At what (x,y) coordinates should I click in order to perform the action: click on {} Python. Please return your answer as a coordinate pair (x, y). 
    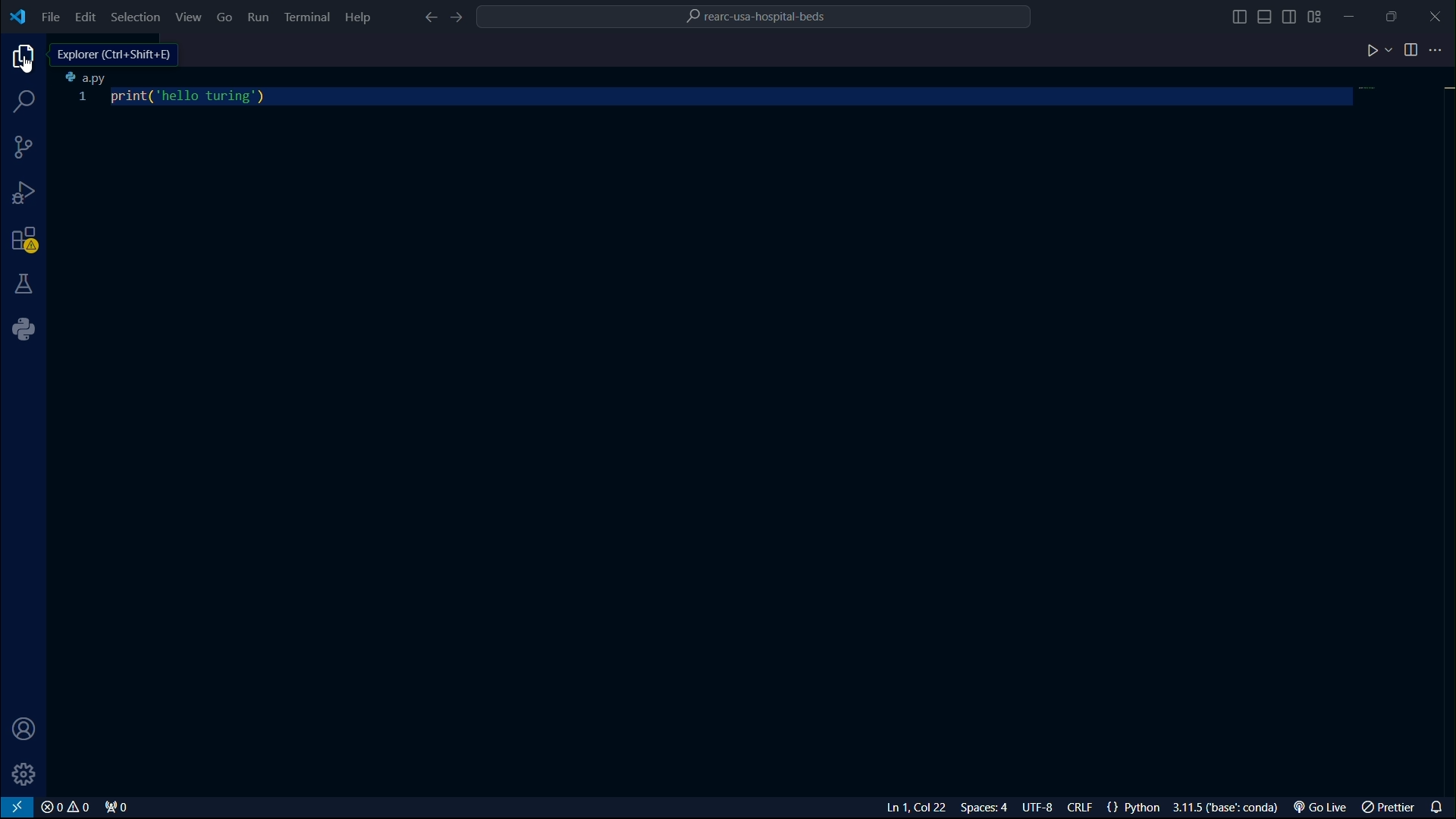
    Looking at the image, I should click on (1134, 808).